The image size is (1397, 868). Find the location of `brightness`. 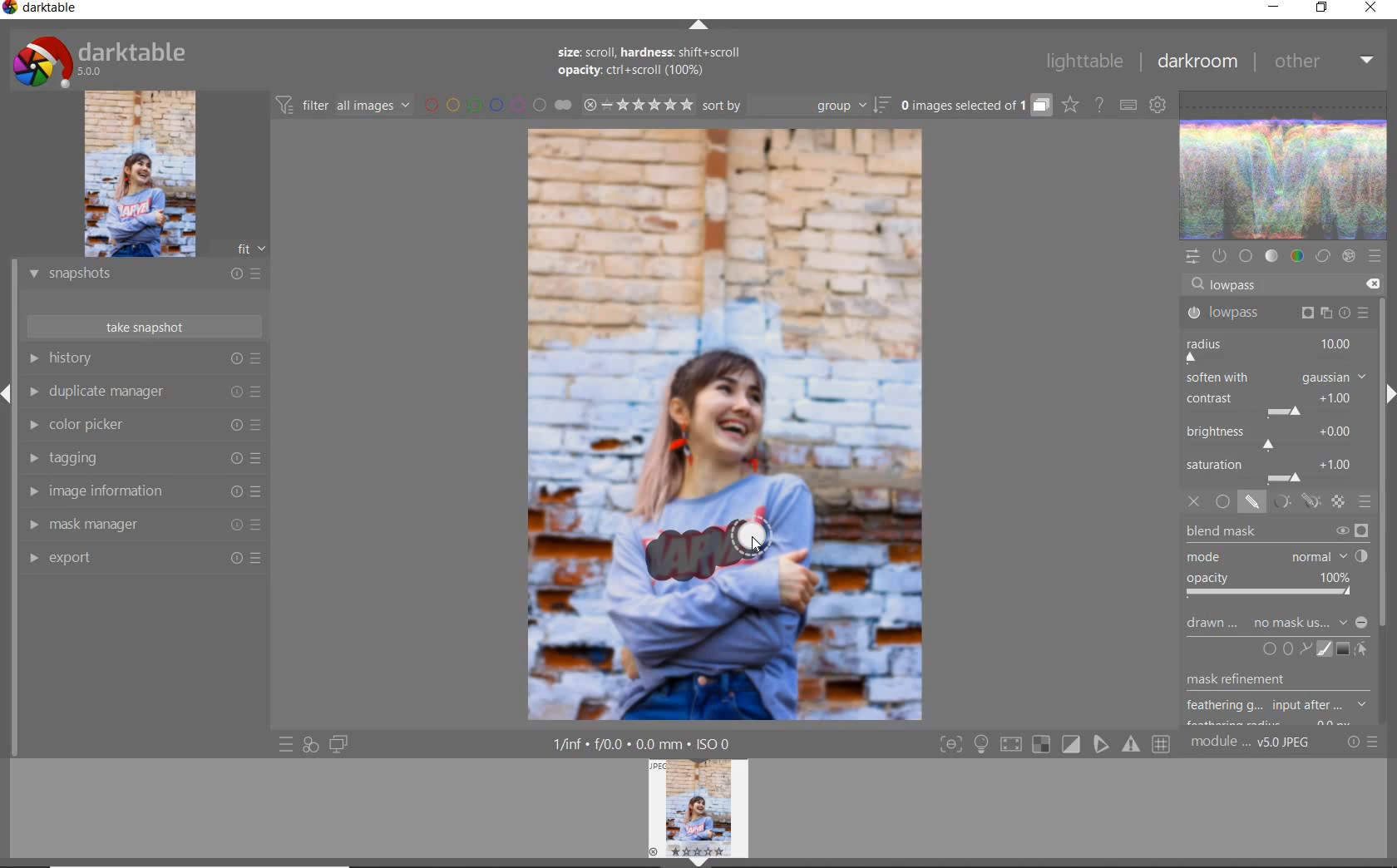

brightness is located at coordinates (1275, 436).